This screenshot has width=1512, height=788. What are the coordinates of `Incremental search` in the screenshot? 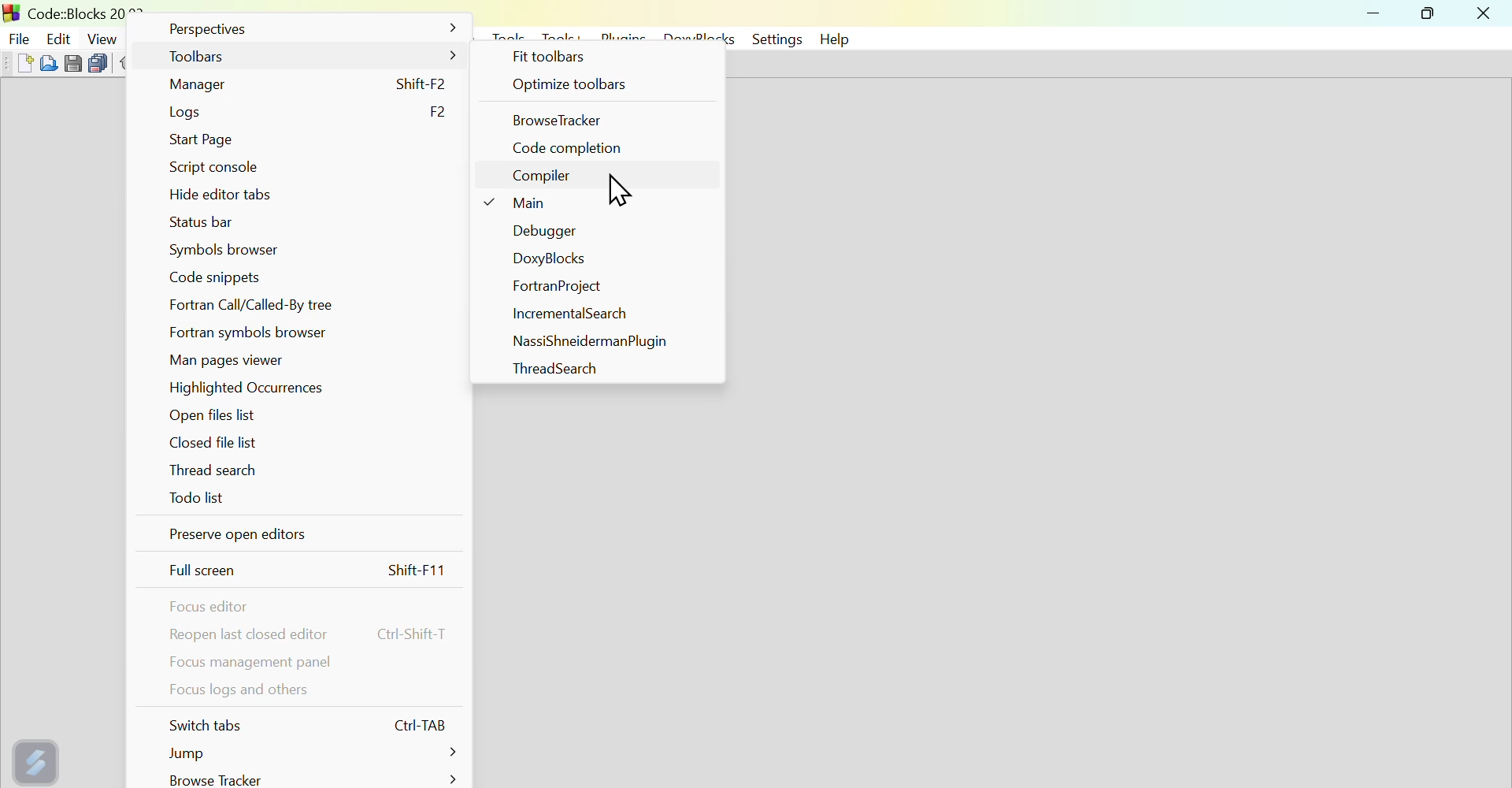 It's located at (573, 316).